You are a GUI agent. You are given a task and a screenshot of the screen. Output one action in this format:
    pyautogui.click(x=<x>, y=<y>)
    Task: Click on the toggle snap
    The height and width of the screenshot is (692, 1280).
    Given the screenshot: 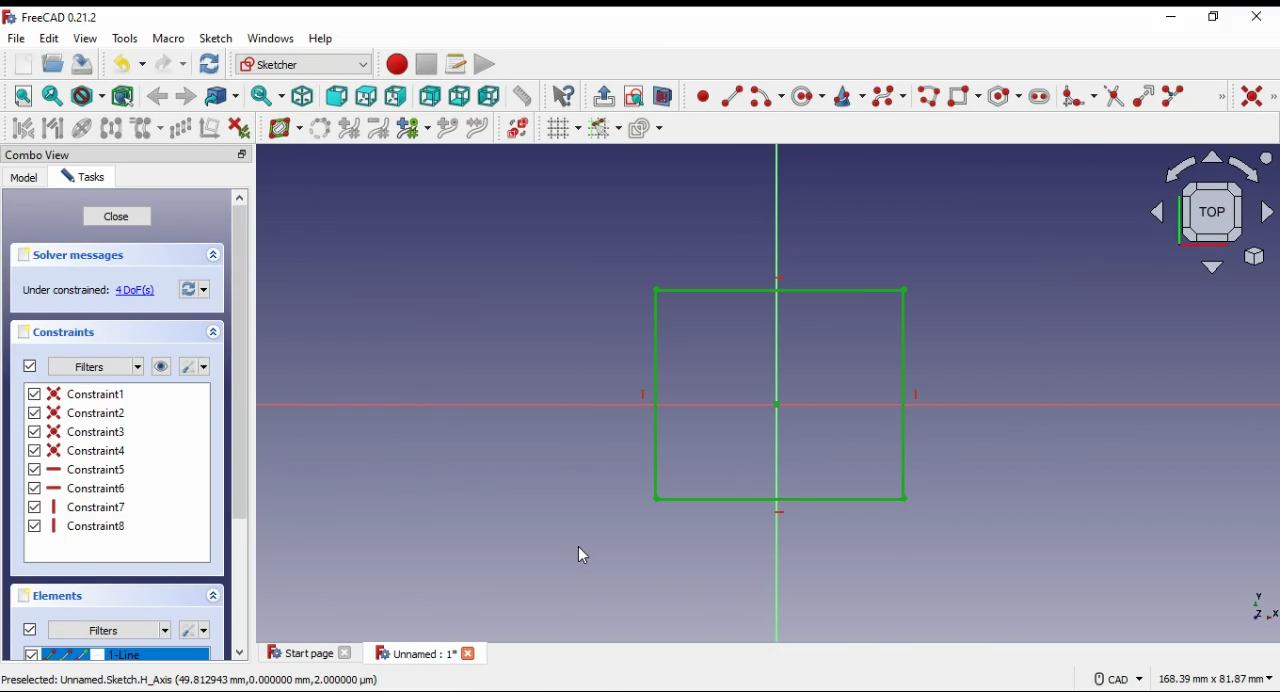 What is the action you would take?
    pyautogui.click(x=606, y=128)
    